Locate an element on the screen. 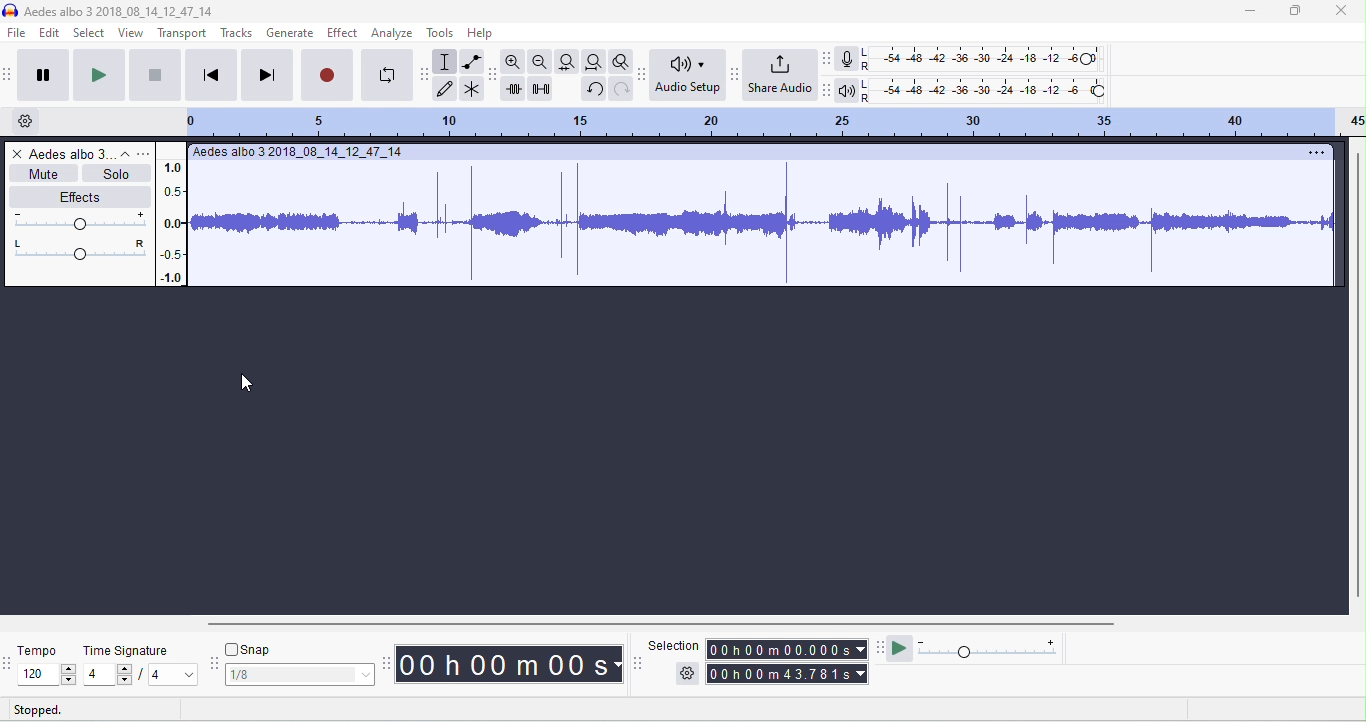  transport is located at coordinates (180, 33).